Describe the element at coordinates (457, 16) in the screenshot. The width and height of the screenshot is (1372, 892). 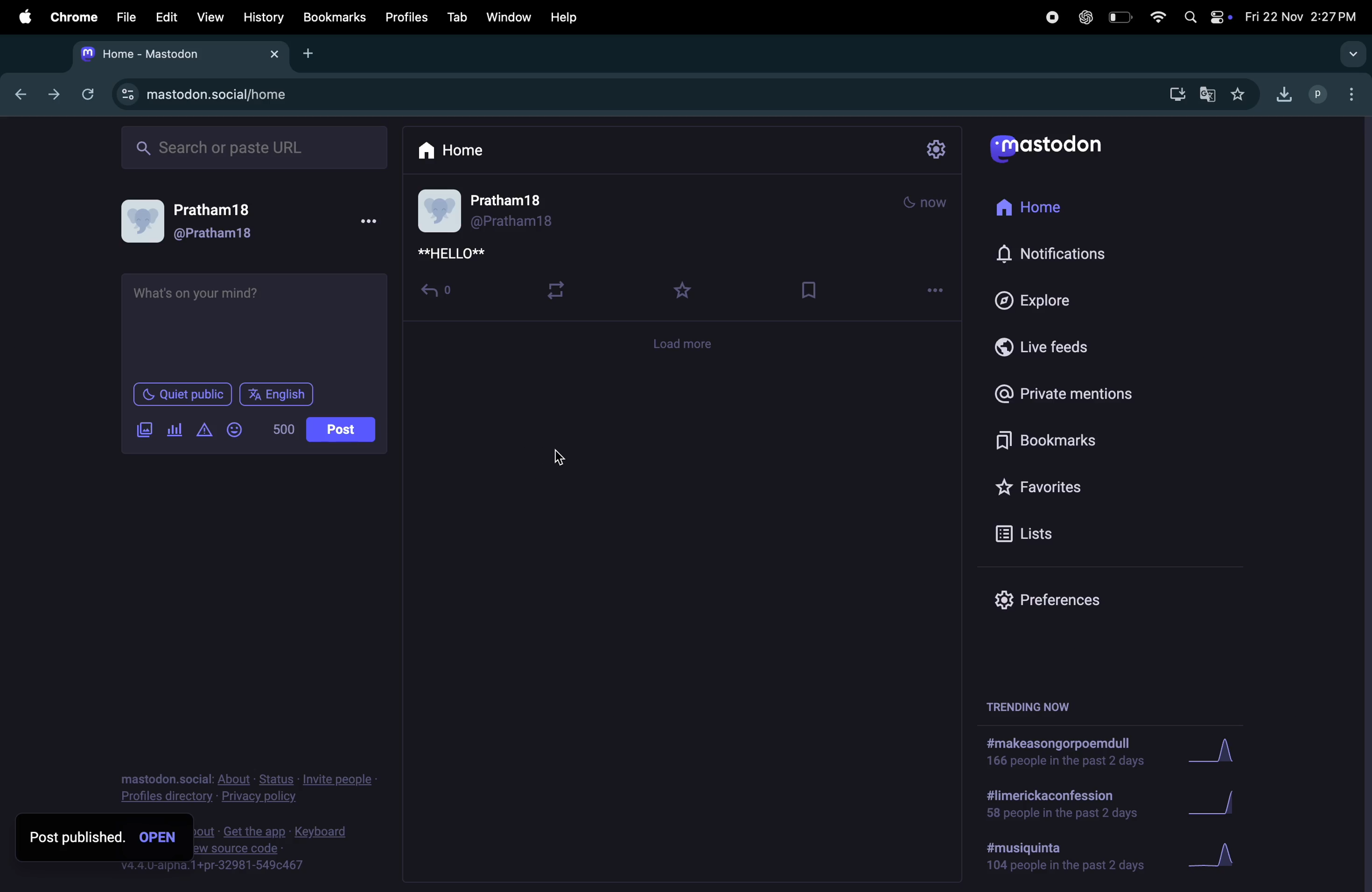
I see `tab` at that location.